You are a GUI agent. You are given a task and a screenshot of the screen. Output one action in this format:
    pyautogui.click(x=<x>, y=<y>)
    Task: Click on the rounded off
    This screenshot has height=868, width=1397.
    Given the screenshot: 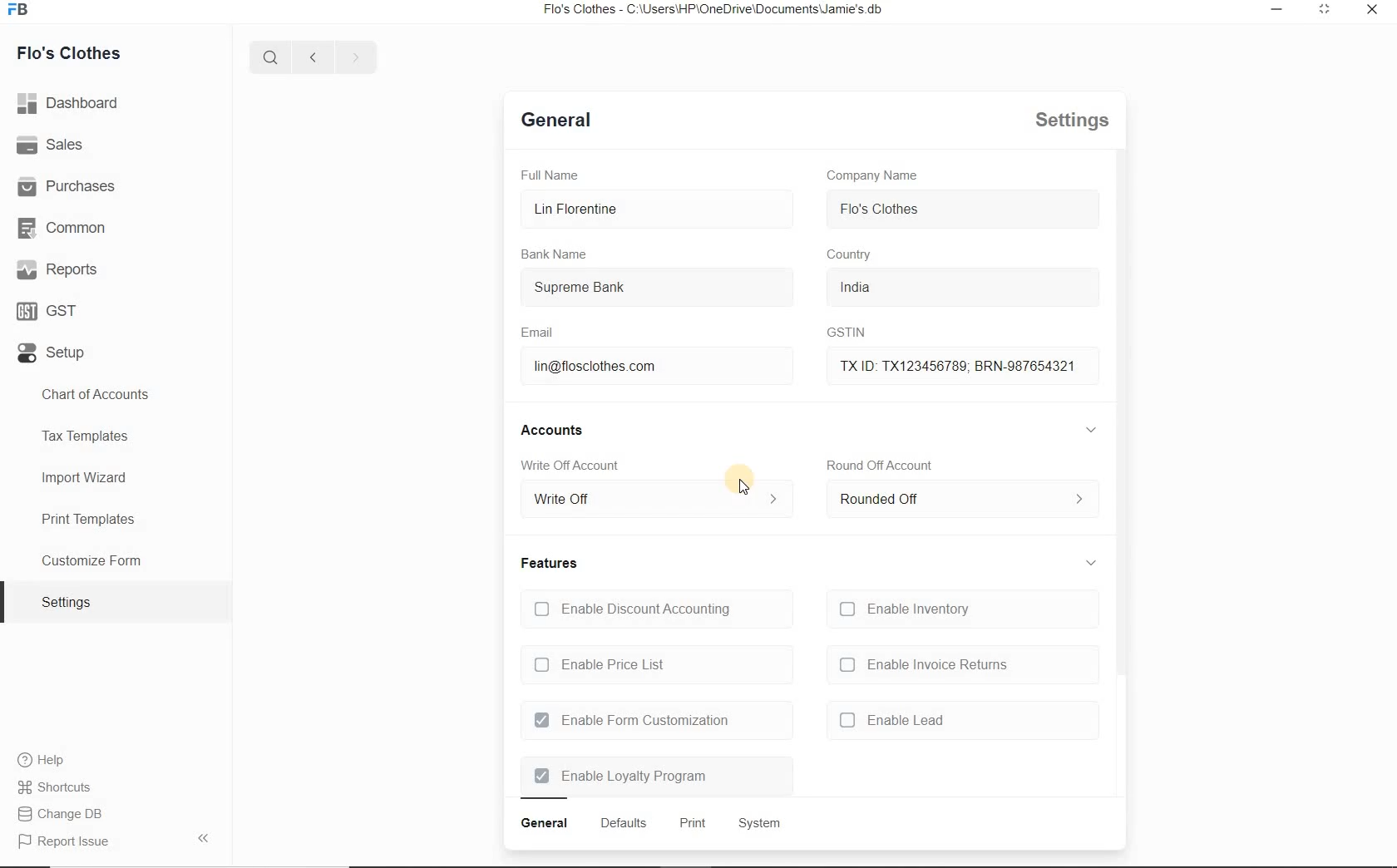 What is the action you would take?
    pyautogui.click(x=958, y=503)
    